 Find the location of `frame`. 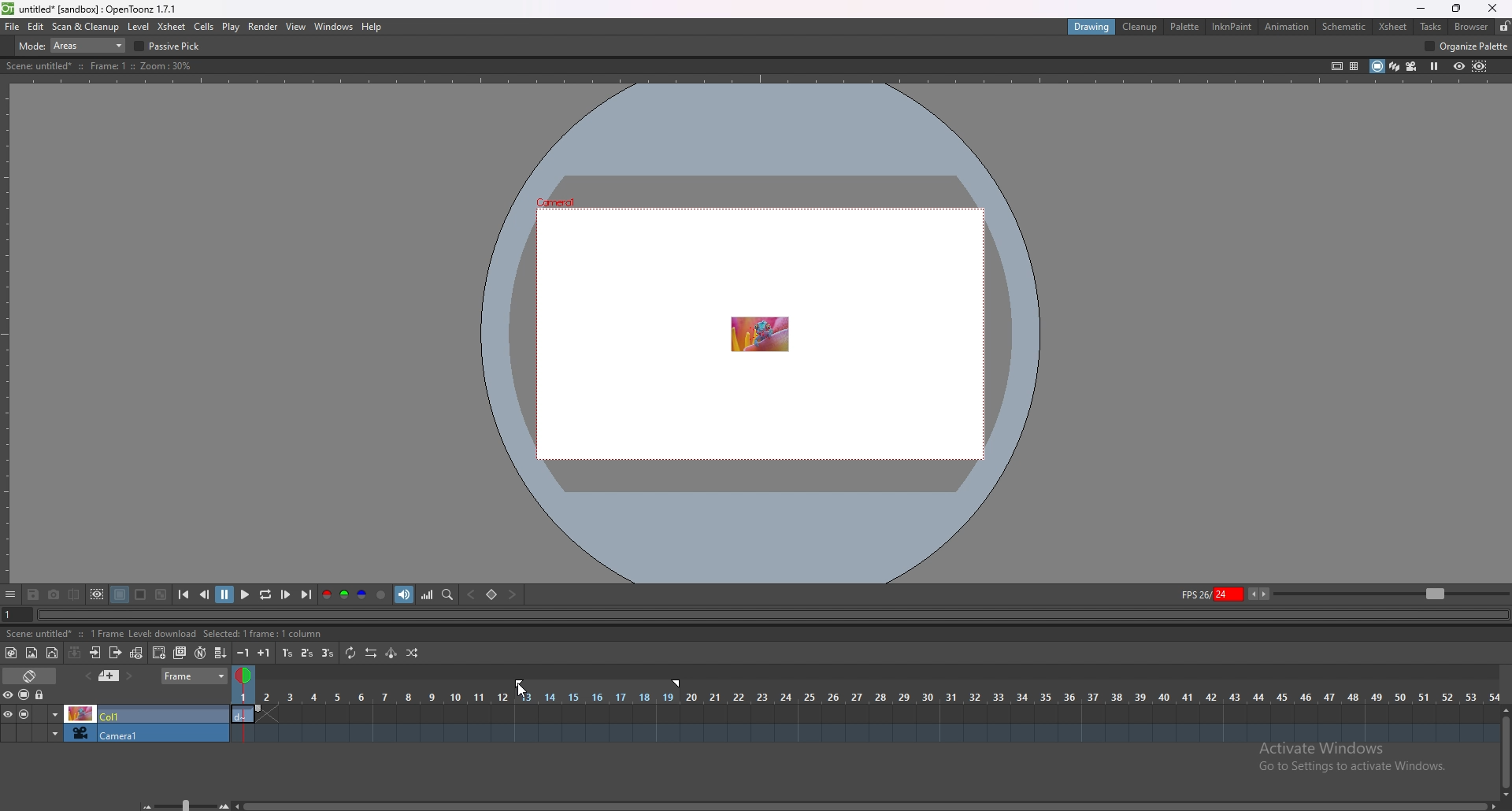

frame is located at coordinates (195, 676).